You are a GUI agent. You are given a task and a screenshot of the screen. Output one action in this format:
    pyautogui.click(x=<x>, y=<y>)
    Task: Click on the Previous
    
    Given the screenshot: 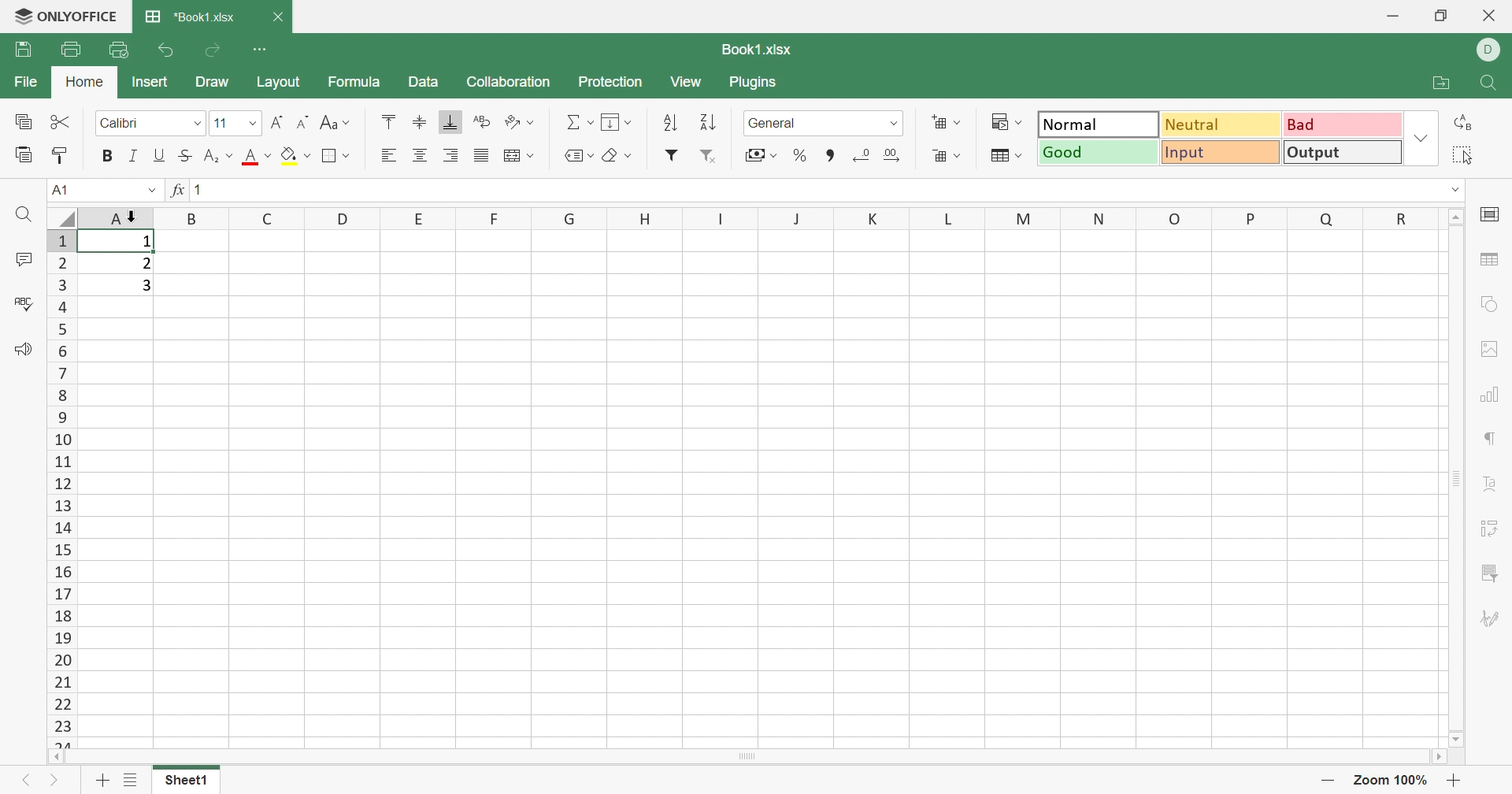 What is the action you would take?
    pyautogui.click(x=20, y=783)
    